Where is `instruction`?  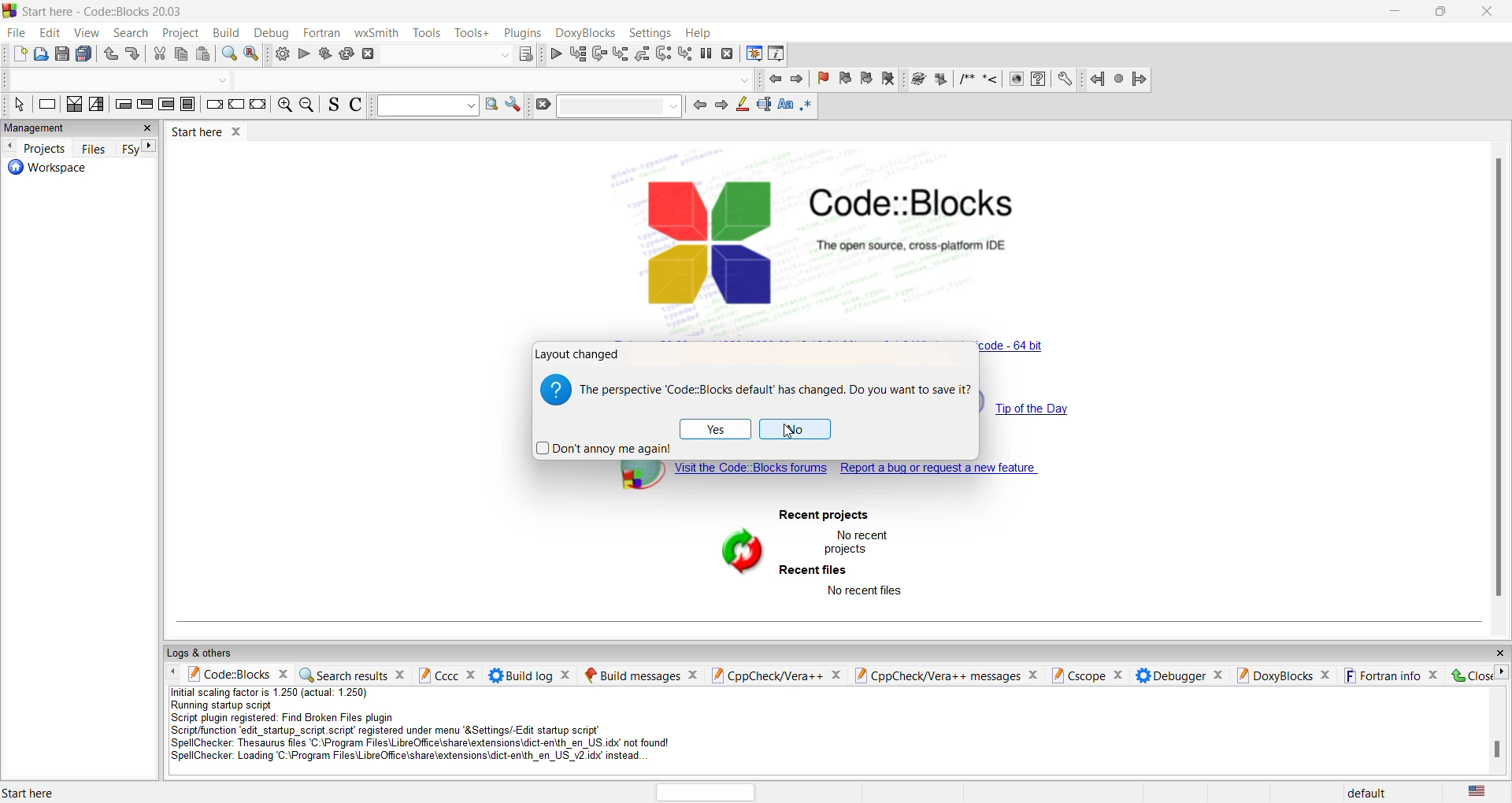
instruction is located at coordinates (46, 105).